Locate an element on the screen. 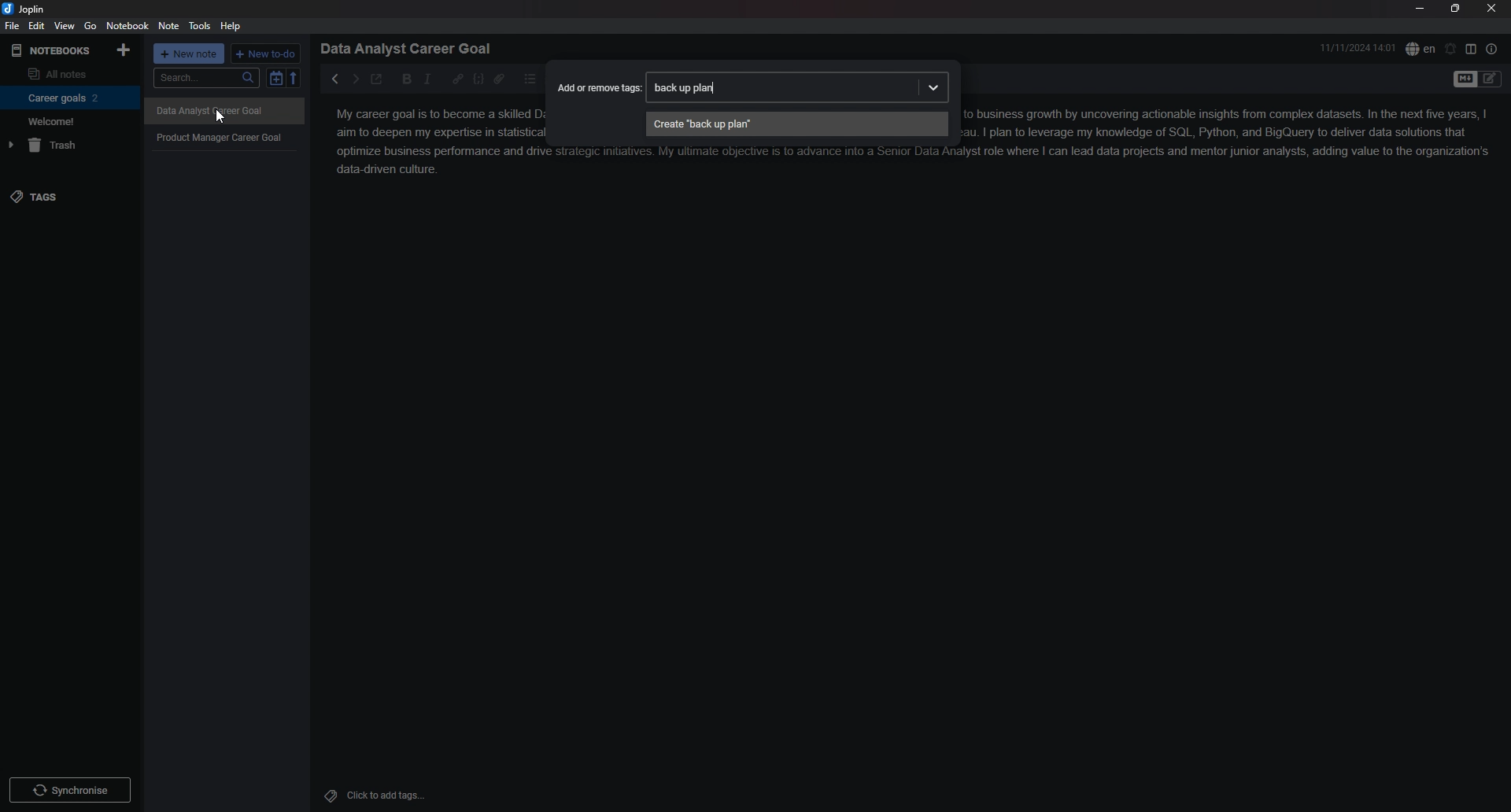  create "back up plan" is located at coordinates (796, 124).